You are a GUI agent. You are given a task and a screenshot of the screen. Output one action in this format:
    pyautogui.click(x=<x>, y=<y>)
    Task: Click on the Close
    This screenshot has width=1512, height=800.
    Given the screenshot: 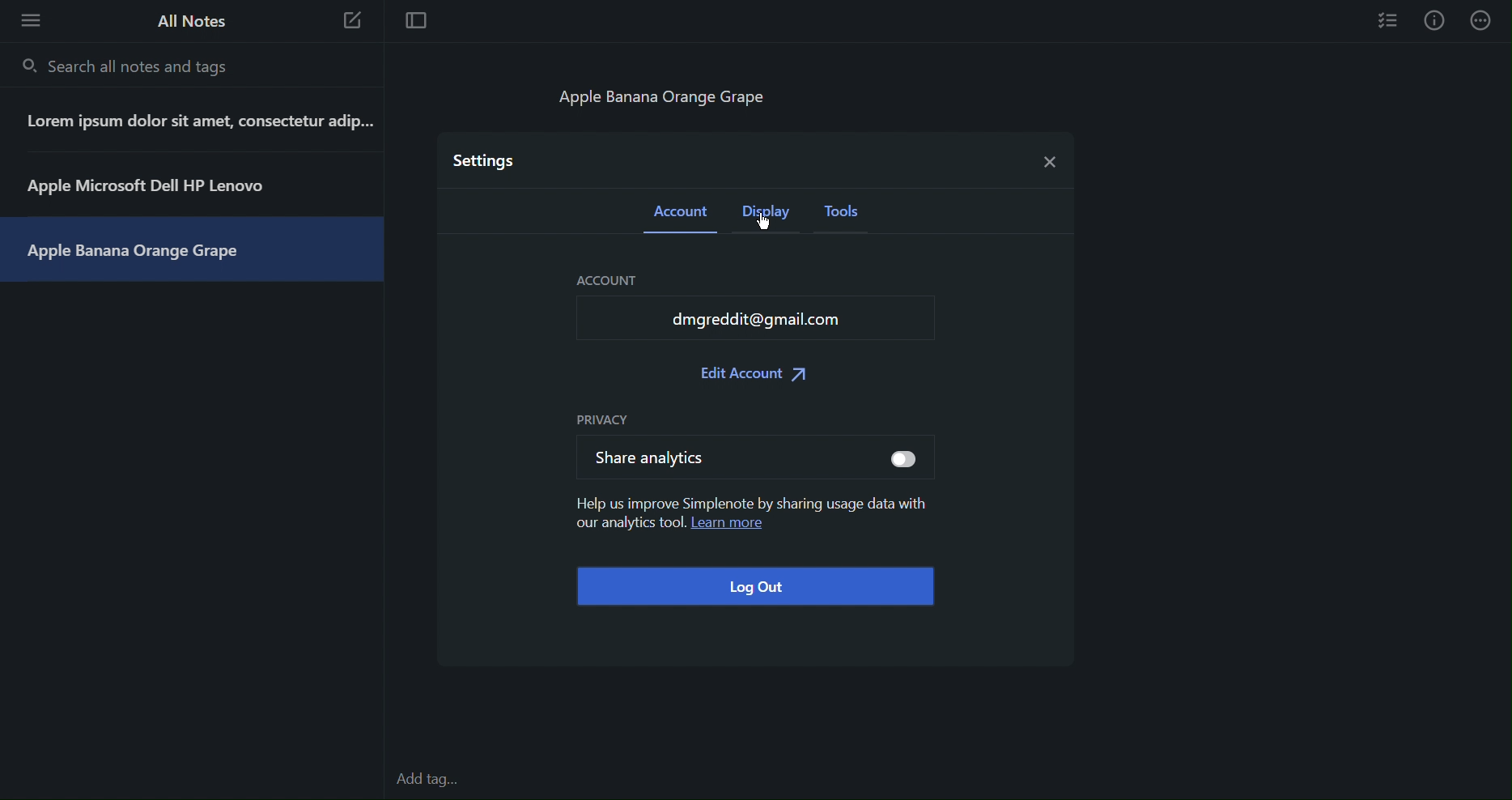 What is the action you would take?
    pyautogui.click(x=1047, y=158)
    